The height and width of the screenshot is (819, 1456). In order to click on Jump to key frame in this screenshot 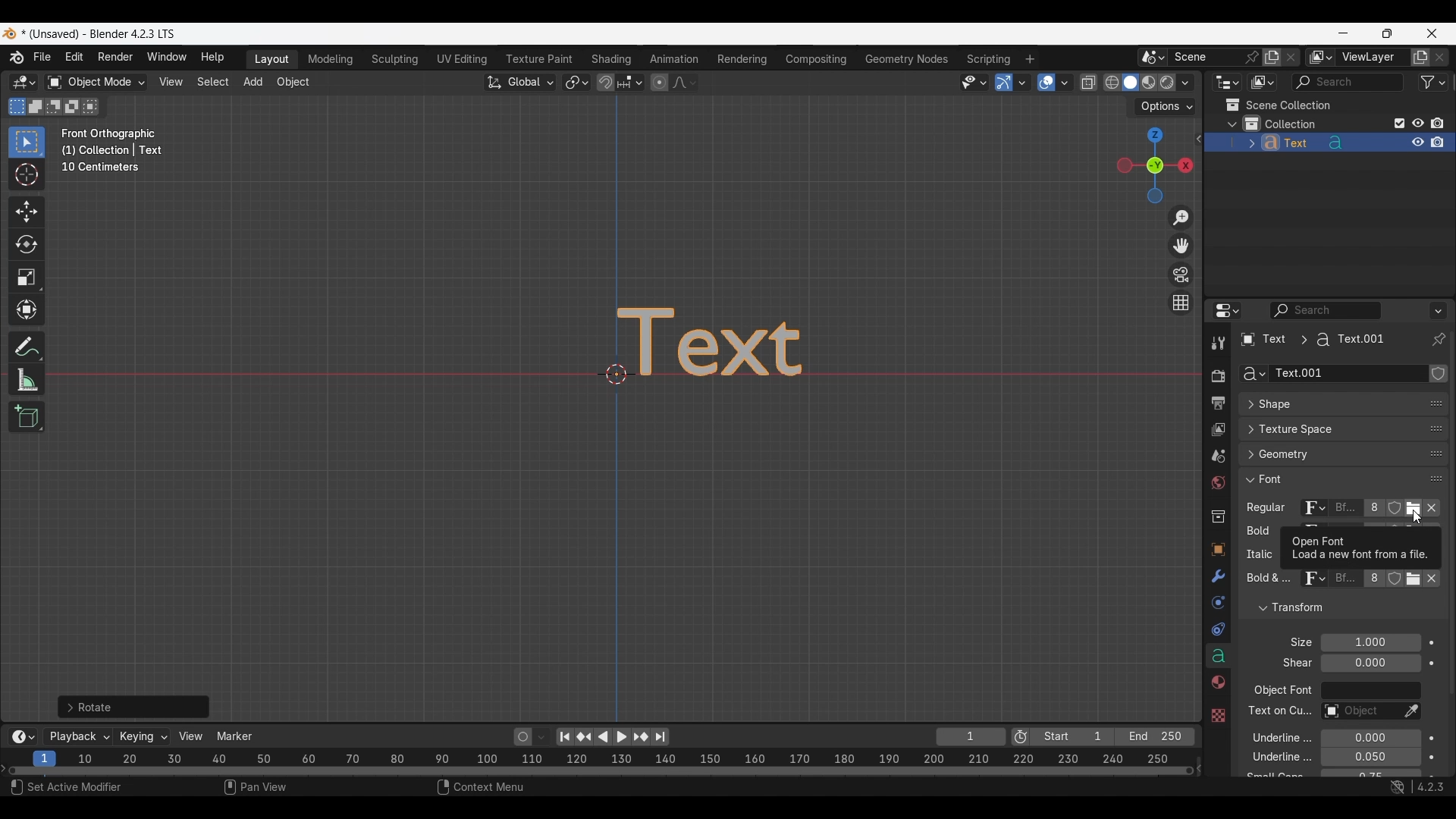, I will do `click(641, 737)`.